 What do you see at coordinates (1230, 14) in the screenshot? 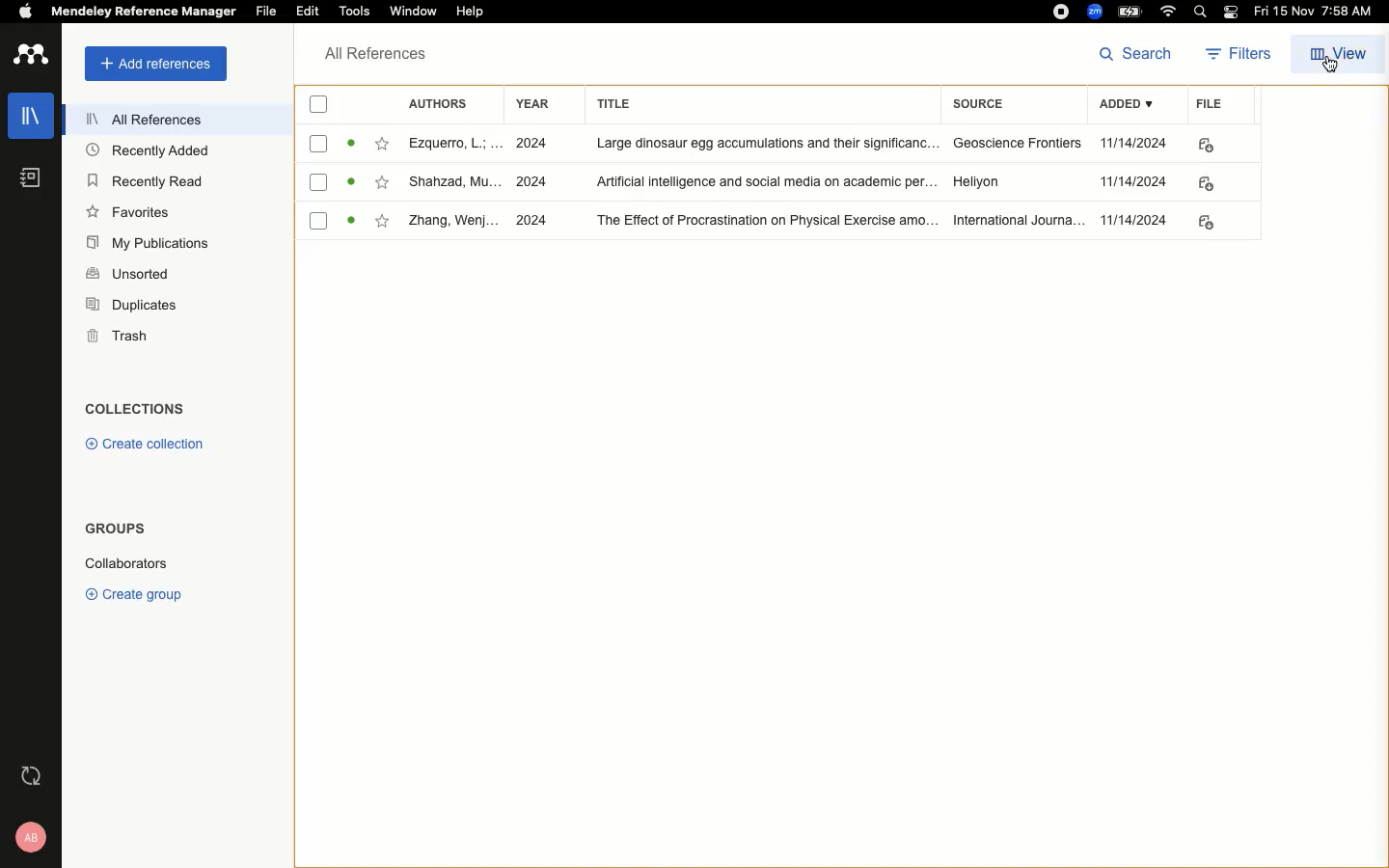
I see `Notification` at bounding box center [1230, 14].